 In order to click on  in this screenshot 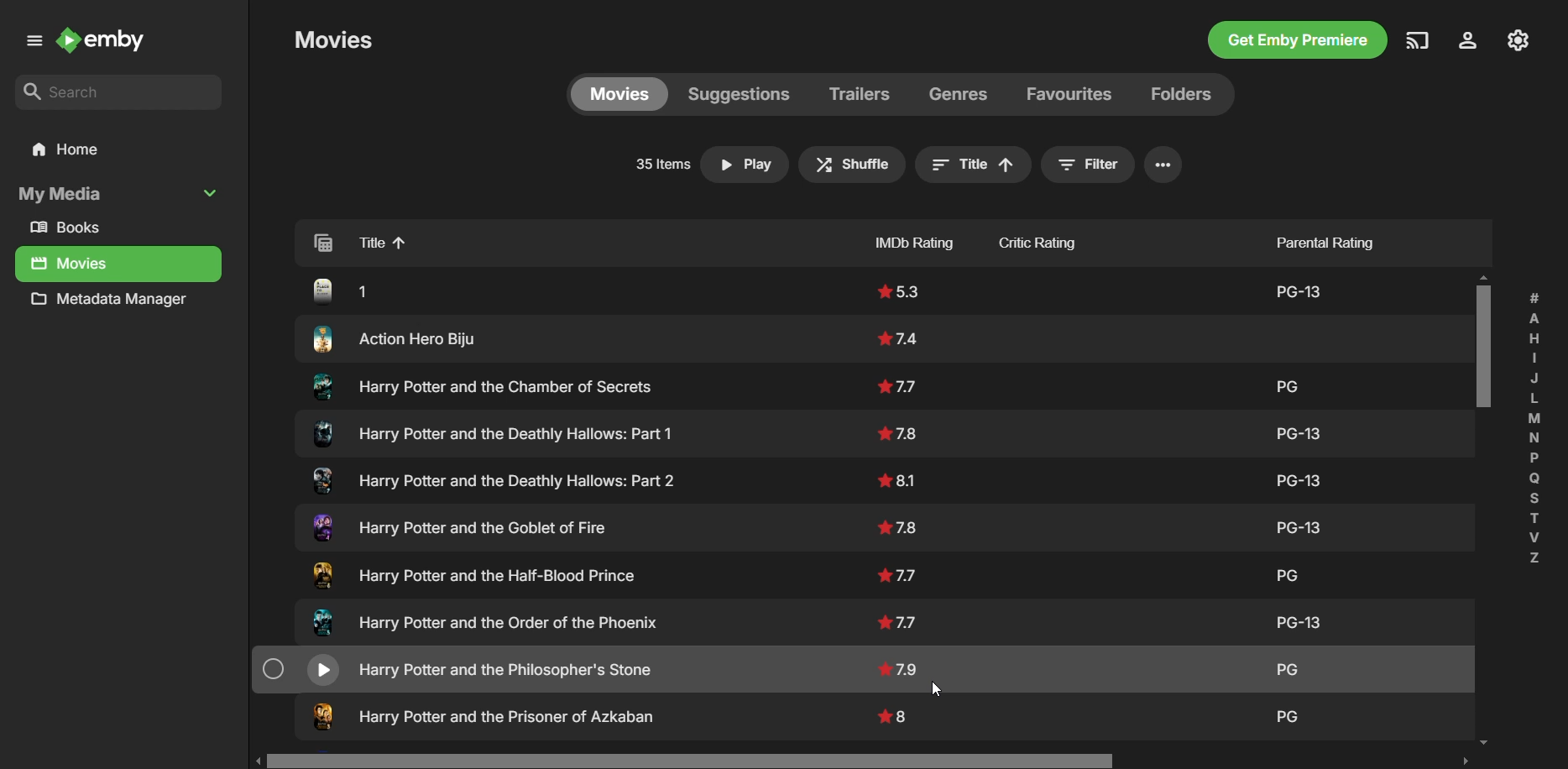, I will do `click(1538, 425)`.